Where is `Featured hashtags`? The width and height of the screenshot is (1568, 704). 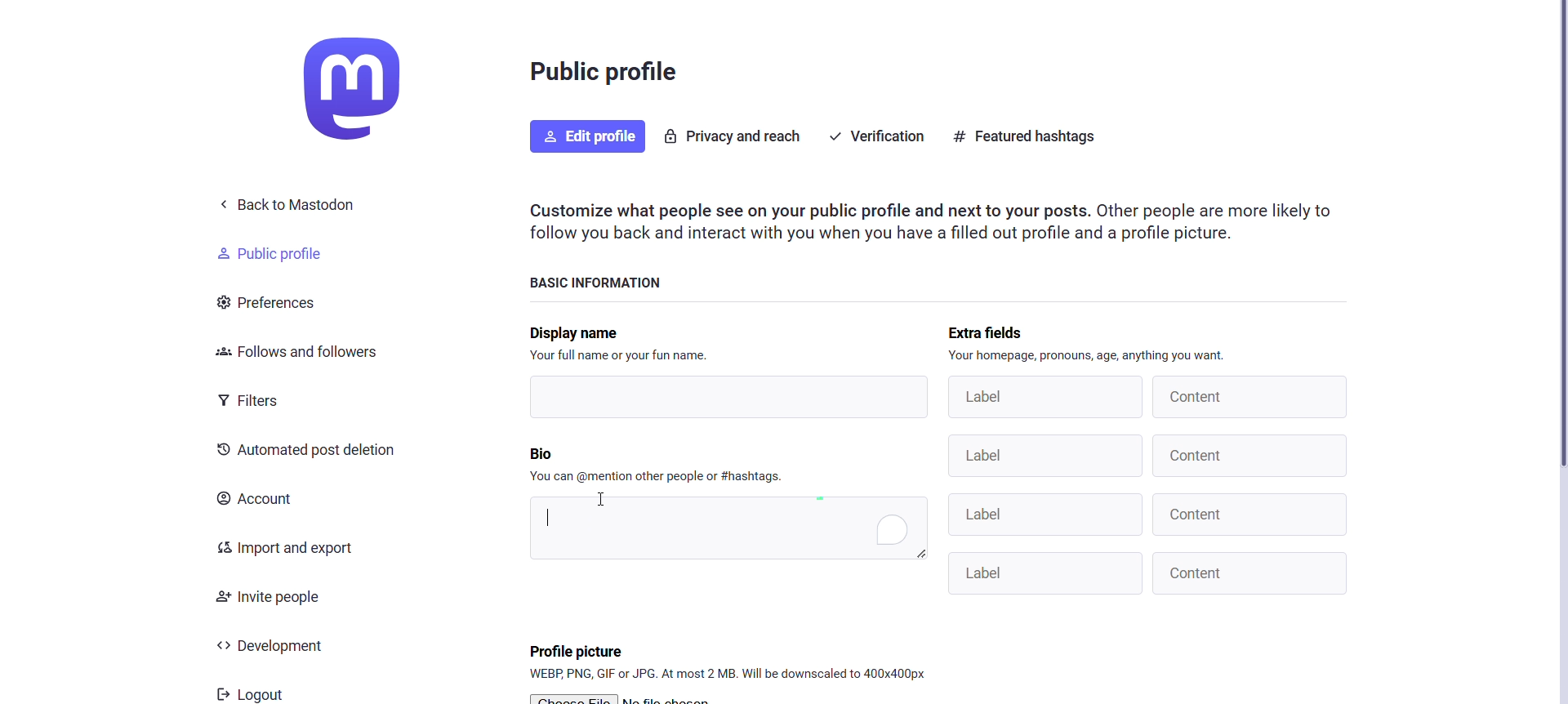 Featured hashtags is located at coordinates (1030, 138).